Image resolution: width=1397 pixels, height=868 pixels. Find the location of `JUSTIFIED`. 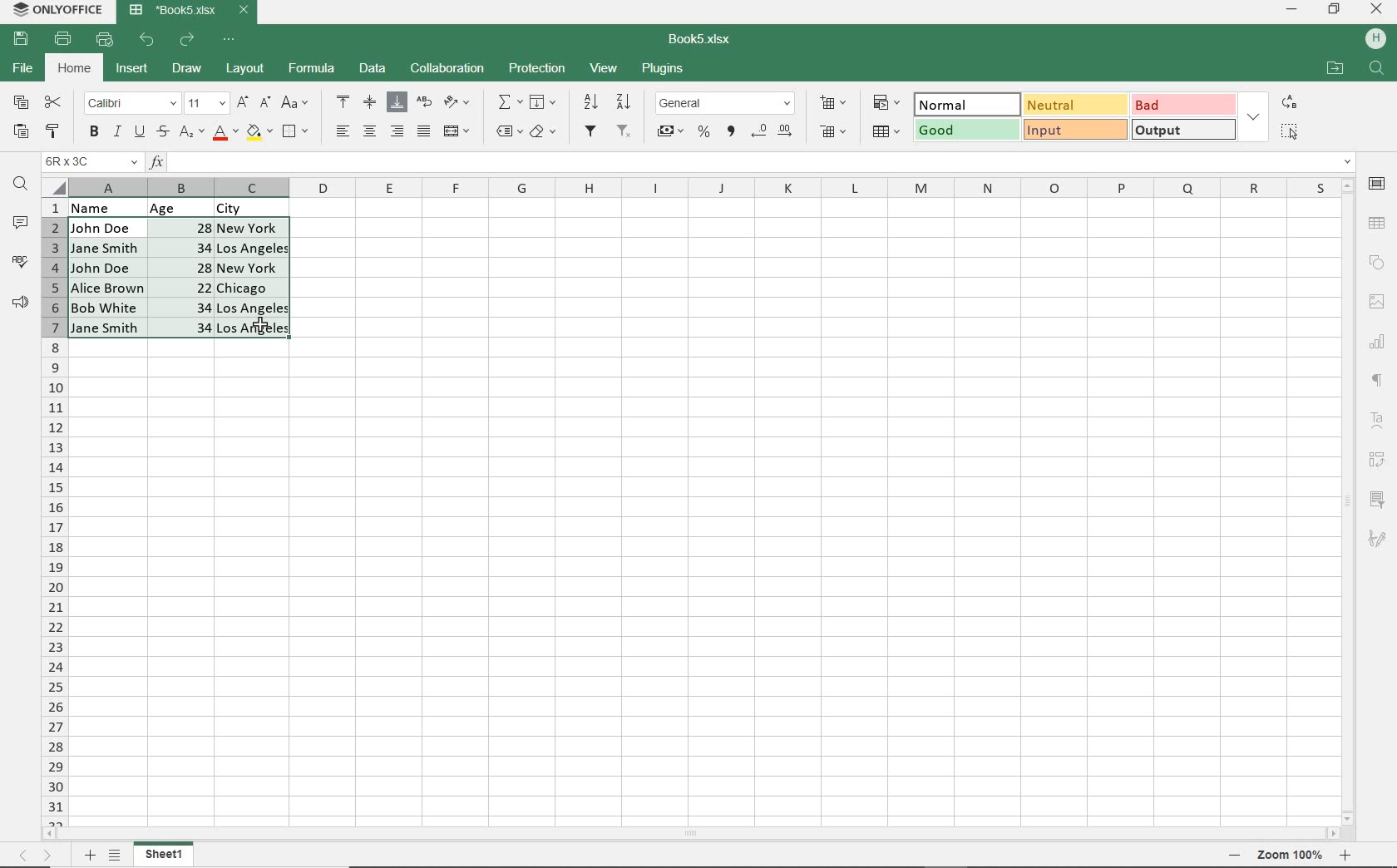

JUSTIFIED is located at coordinates (423, 131).